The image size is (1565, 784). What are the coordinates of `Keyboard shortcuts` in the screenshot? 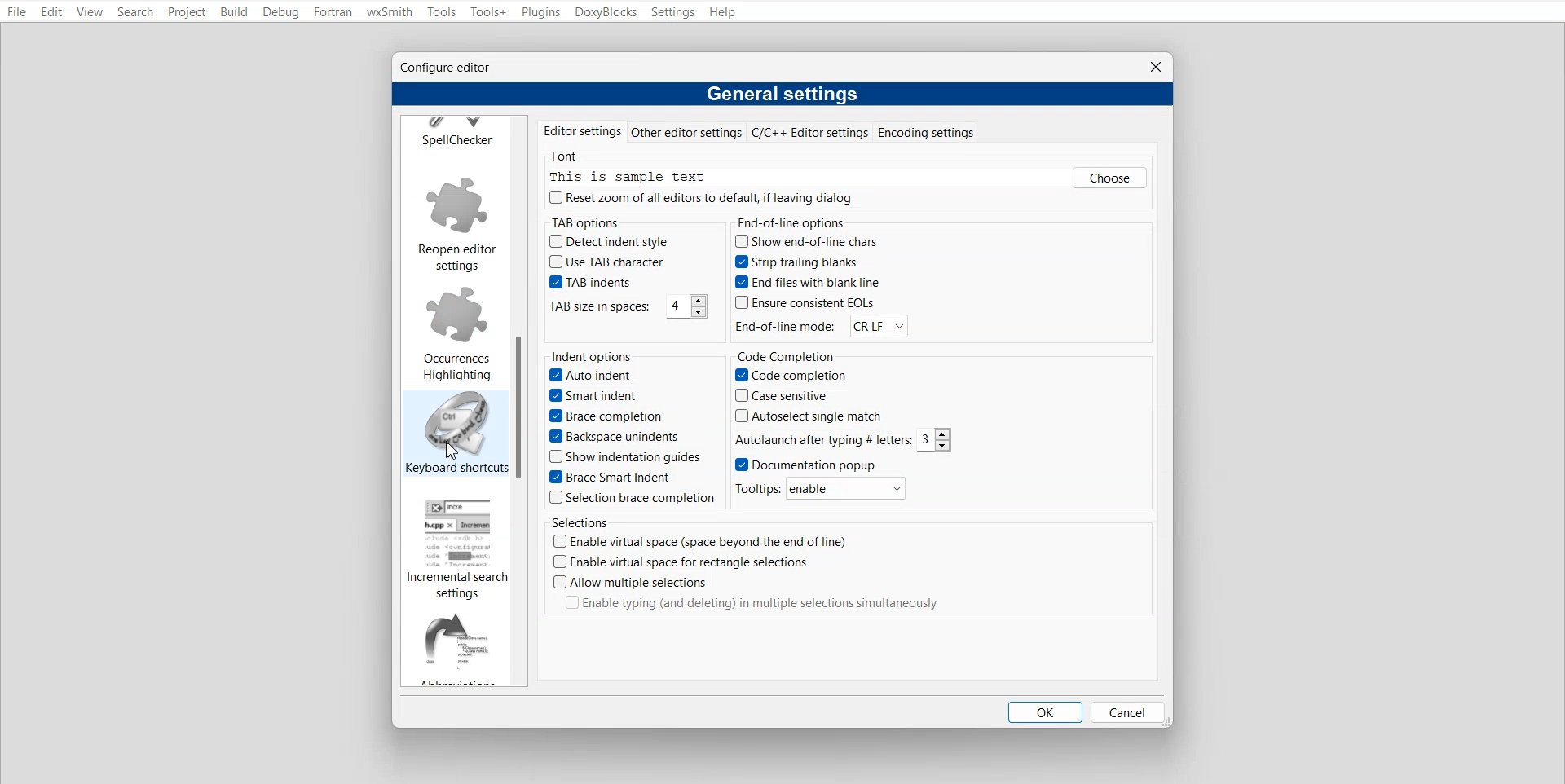 It's located at (457, 433).